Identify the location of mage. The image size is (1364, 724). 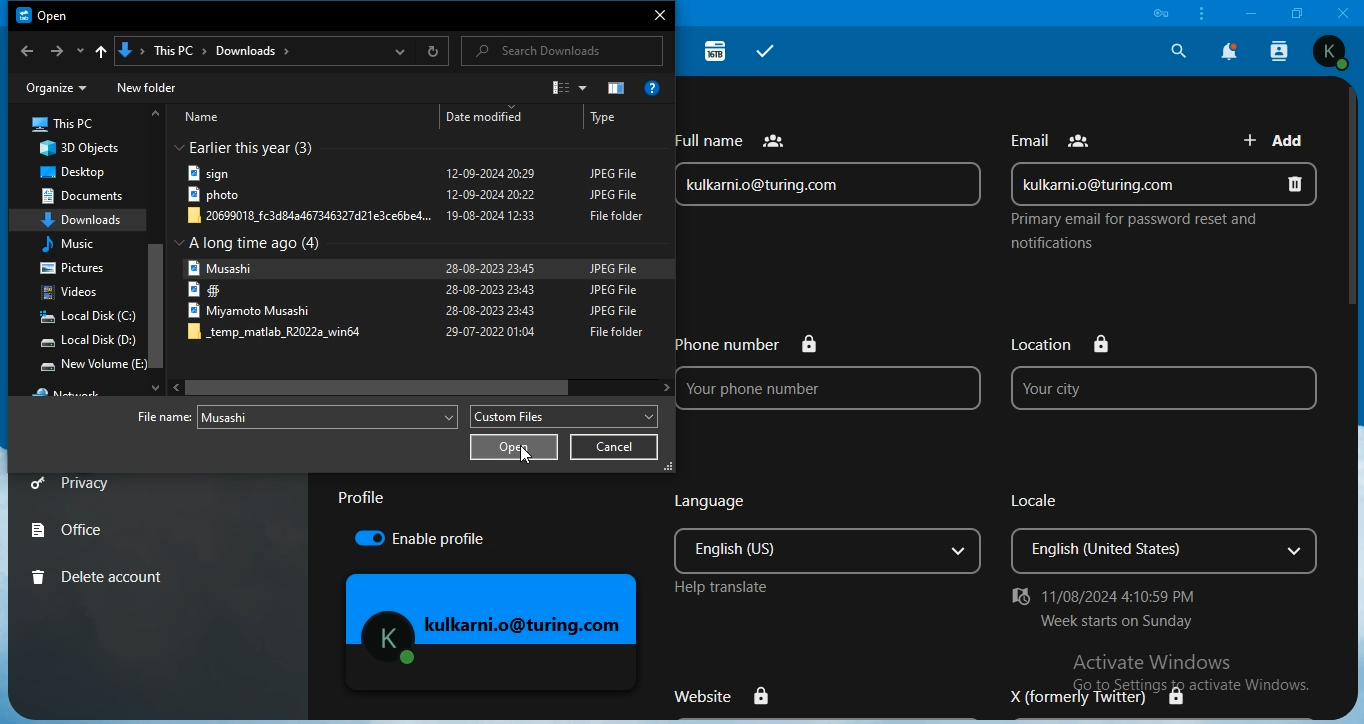
(494, 634).